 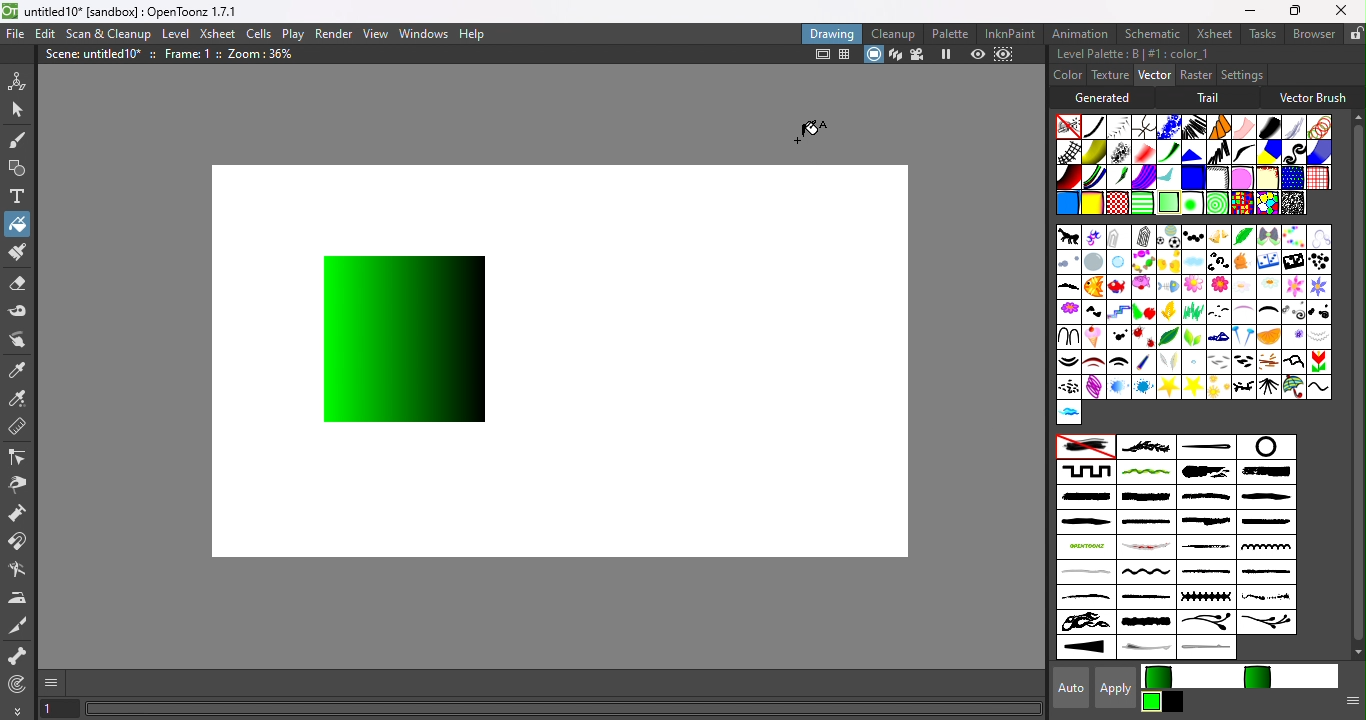 I want to click on Clou, so click(x=1194, y=262).